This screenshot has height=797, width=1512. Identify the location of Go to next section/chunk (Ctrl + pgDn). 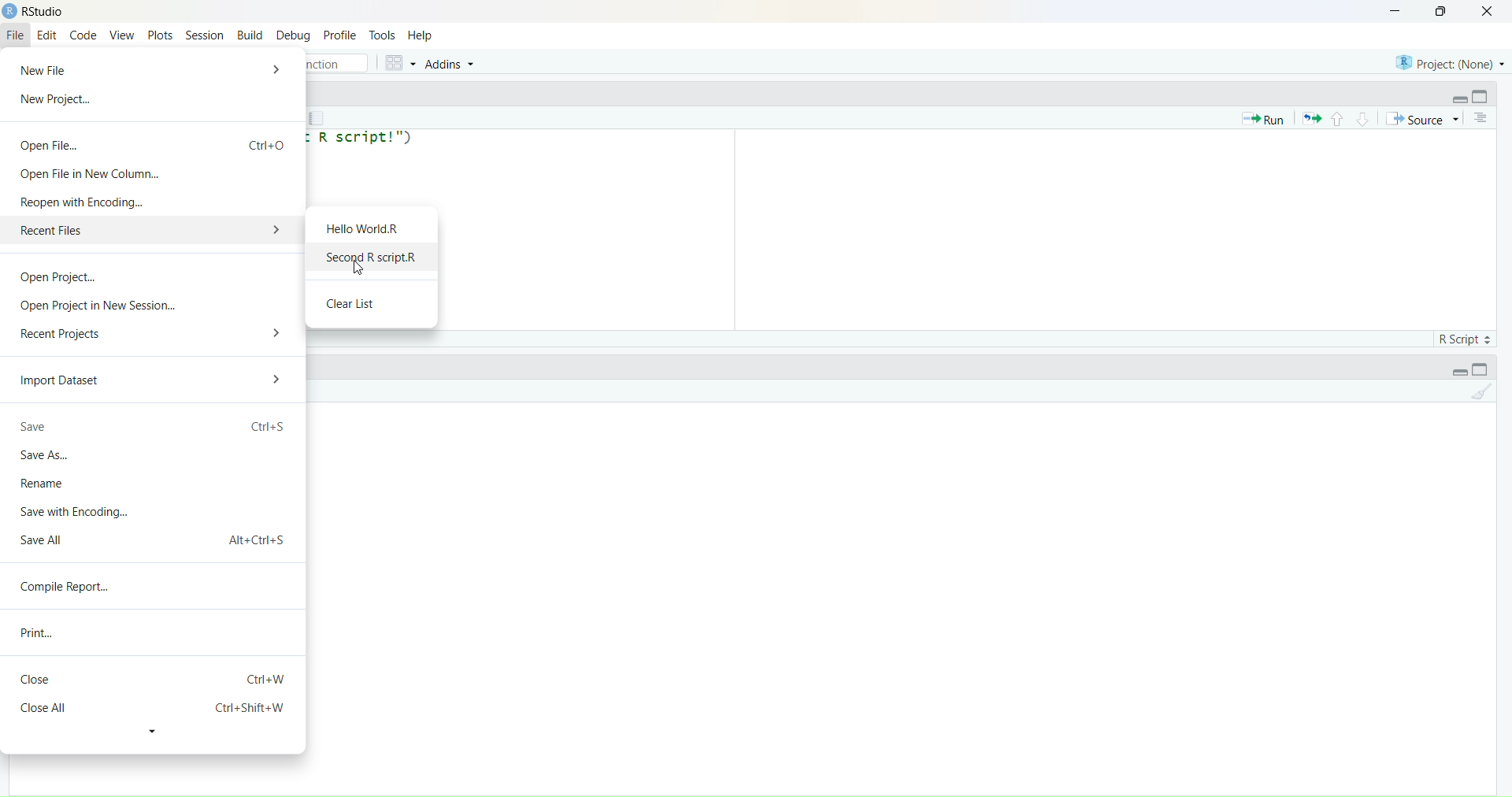
(1360, 117).